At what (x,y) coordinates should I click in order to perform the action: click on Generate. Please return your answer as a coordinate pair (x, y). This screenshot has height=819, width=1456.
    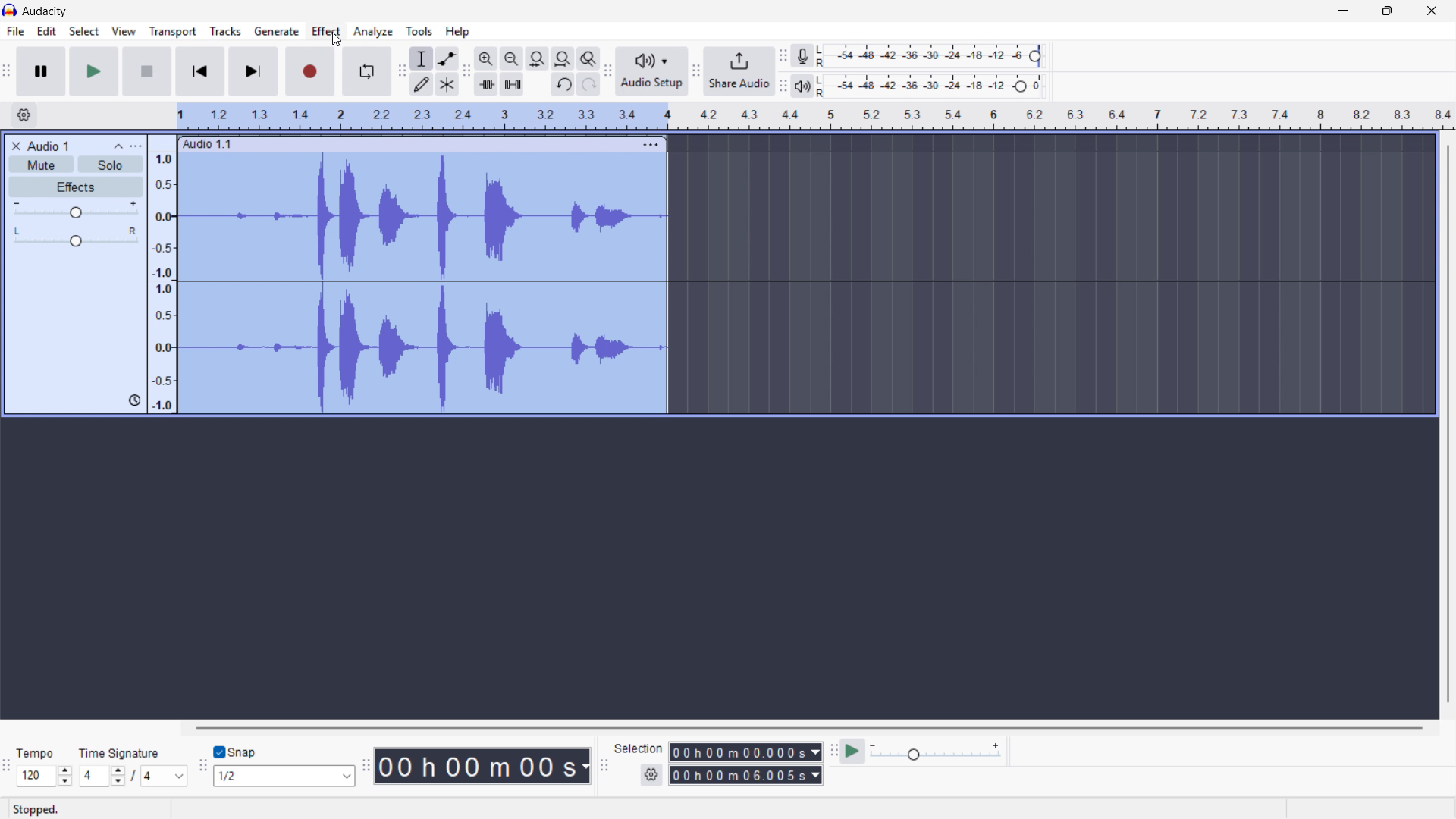
    Looking at the image, I should click on (276, 31).